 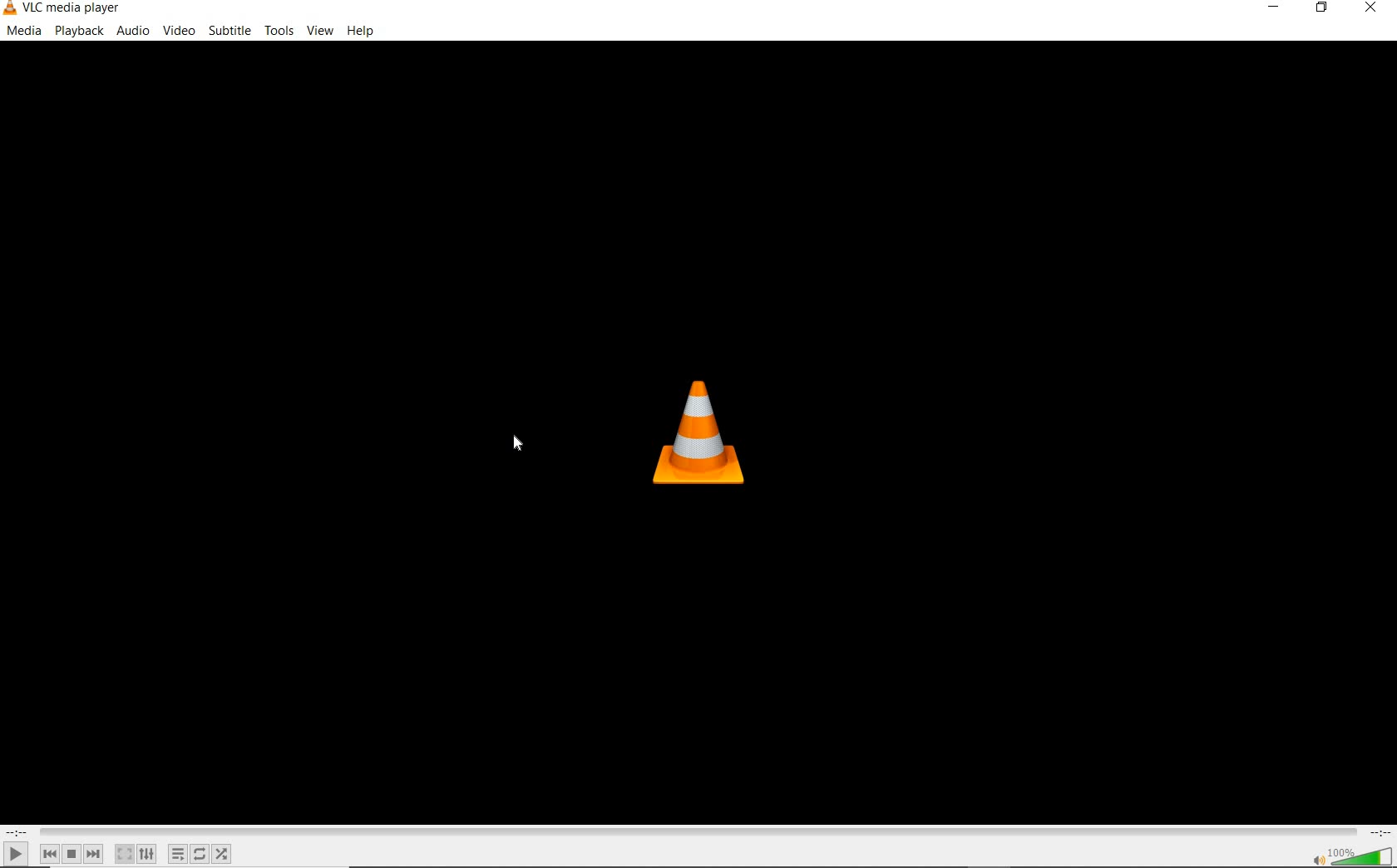 What do you see at coordinates (698, 433) in the screenshot?
I see `VLC logo` at bounding box center [698, 433].